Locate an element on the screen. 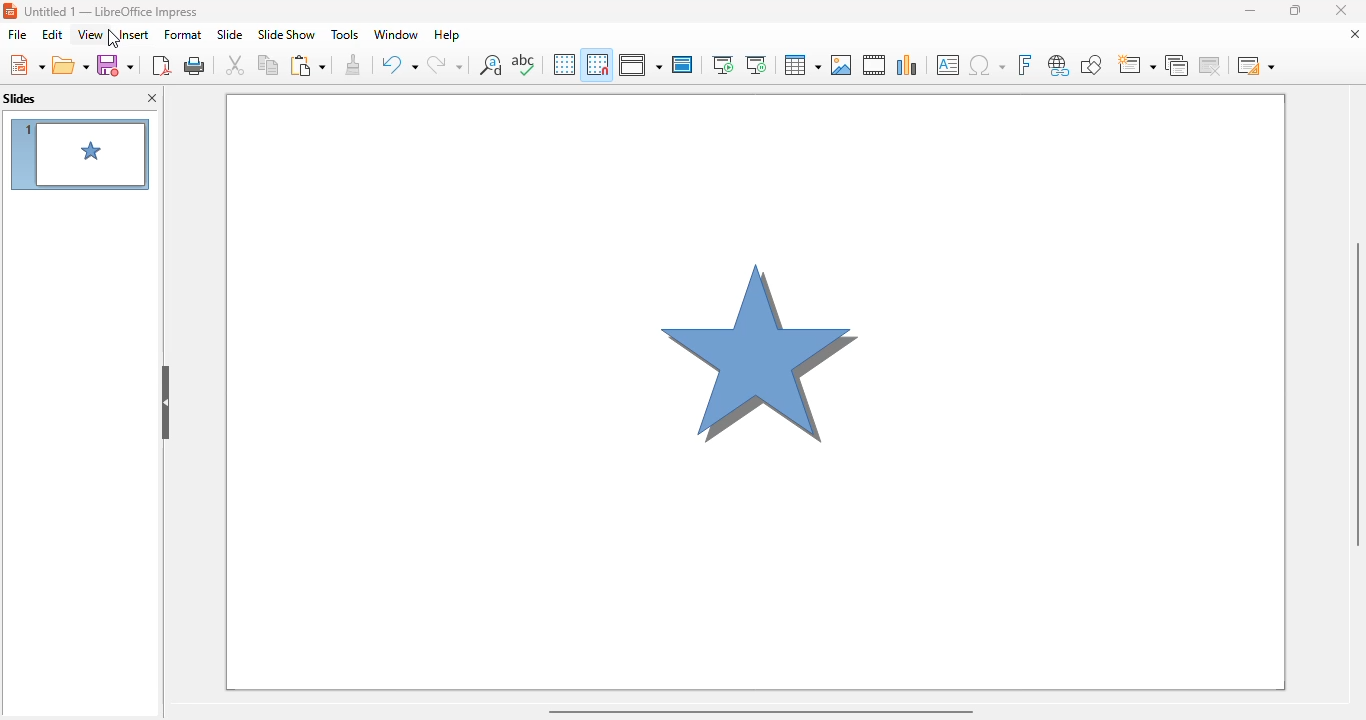 Image resolution: width=1366 pixels, height=720 pixels. close is located at coordinates (1341, 10).